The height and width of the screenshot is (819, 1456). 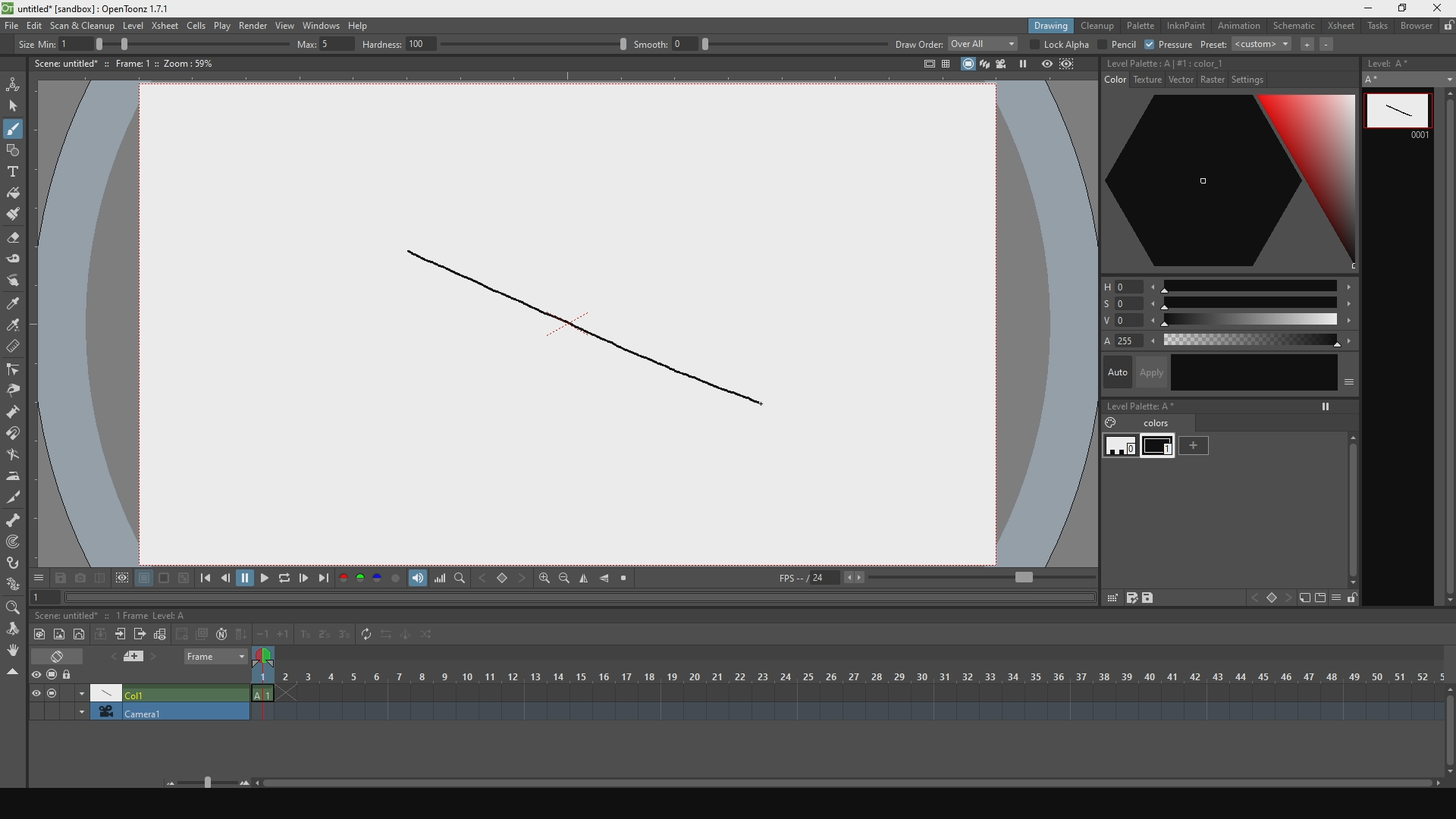 What do you see at coordinates (1335, 598) in the screenshot?
I see `hide menu` at bounding box center [1335, 598].